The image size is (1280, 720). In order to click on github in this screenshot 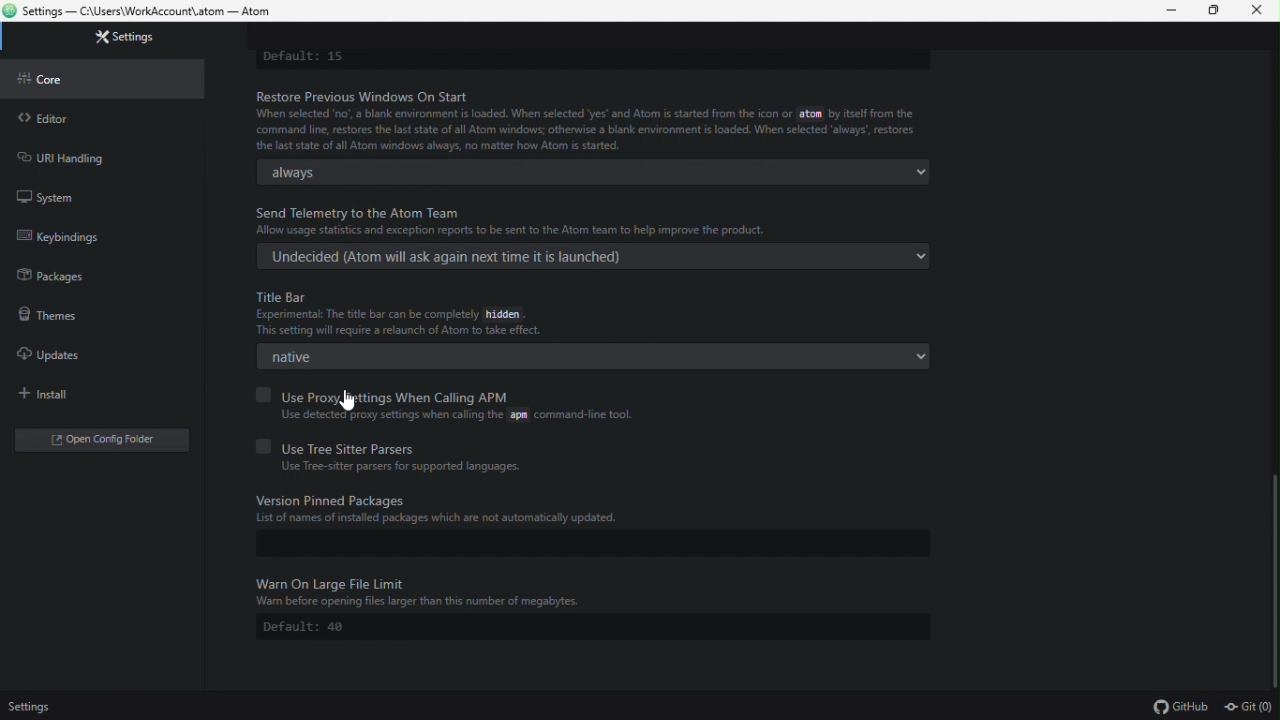, I will do `click(1180, 707)`.